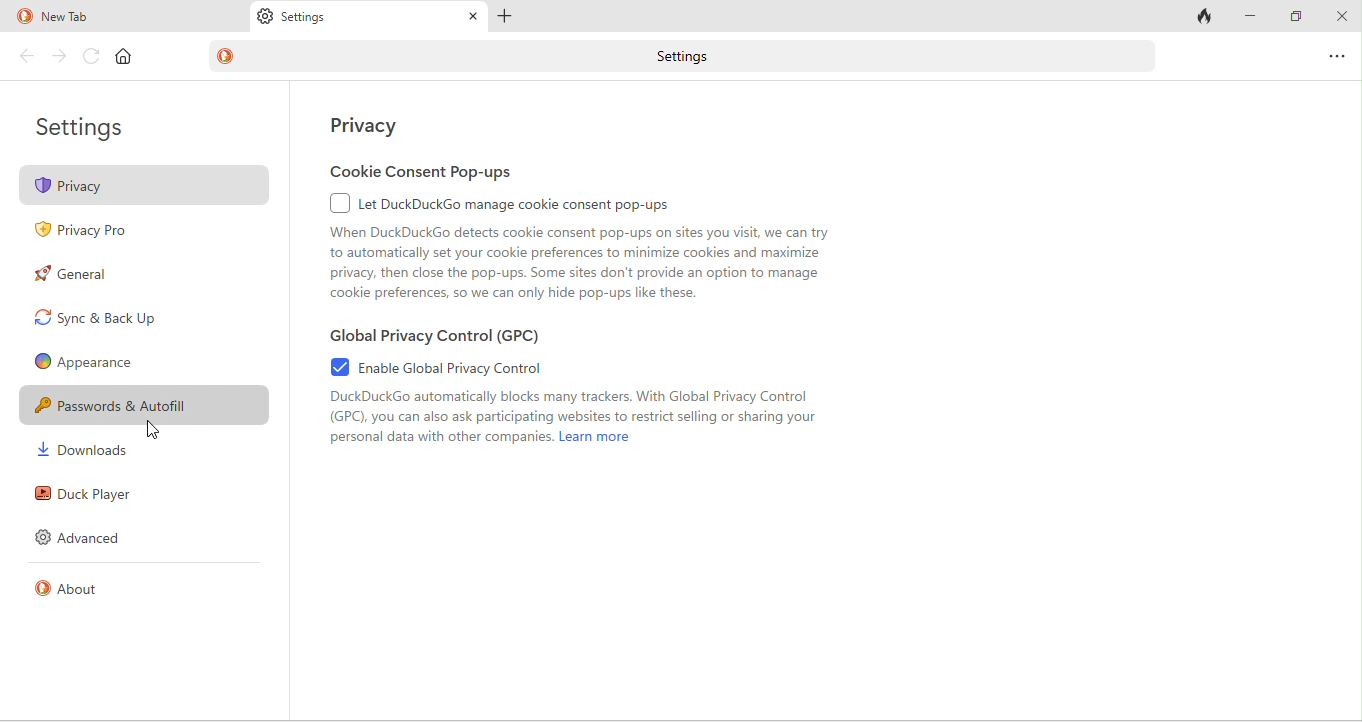  I want to click on let duck duck go manage cookie consent pop ups, so click(504, 204).